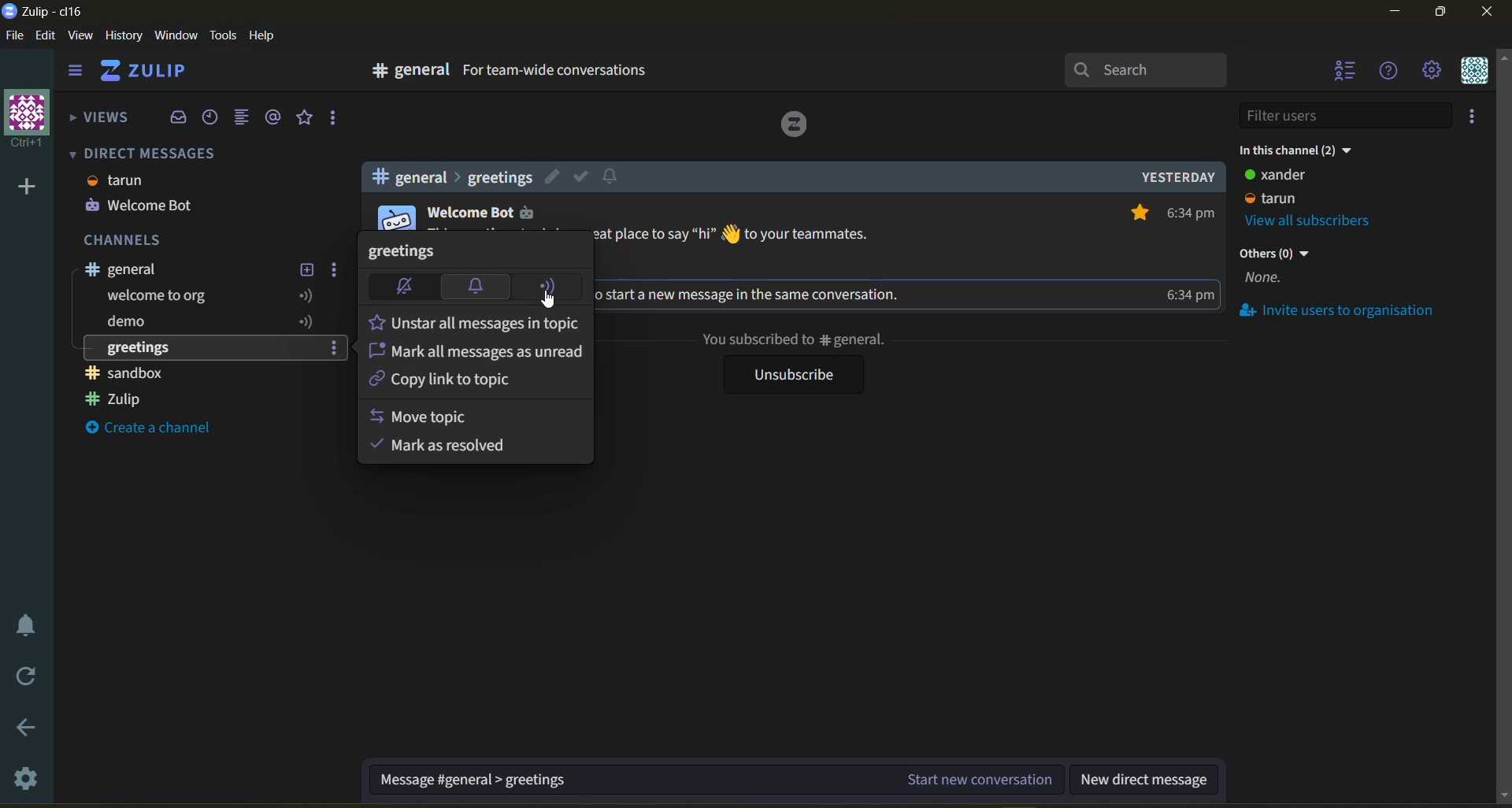 This screenshot has width=1512, height=808. I want to click on inbox, so click(179, 119).